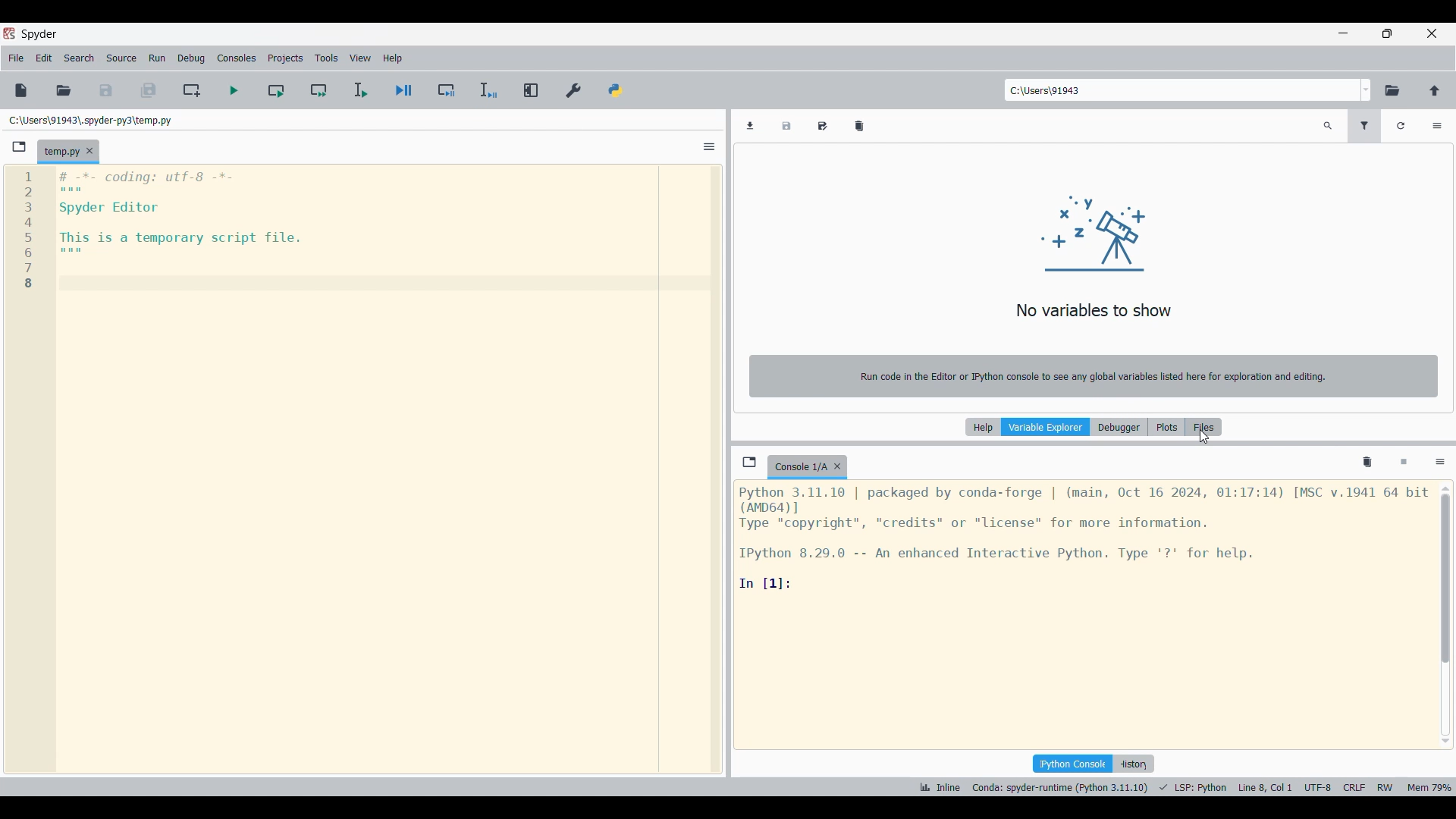 The width and height of the screenshot is (1456, 819). Describe the element at coordinates (710, 146) in the screenshot. I see `Options` at that location.